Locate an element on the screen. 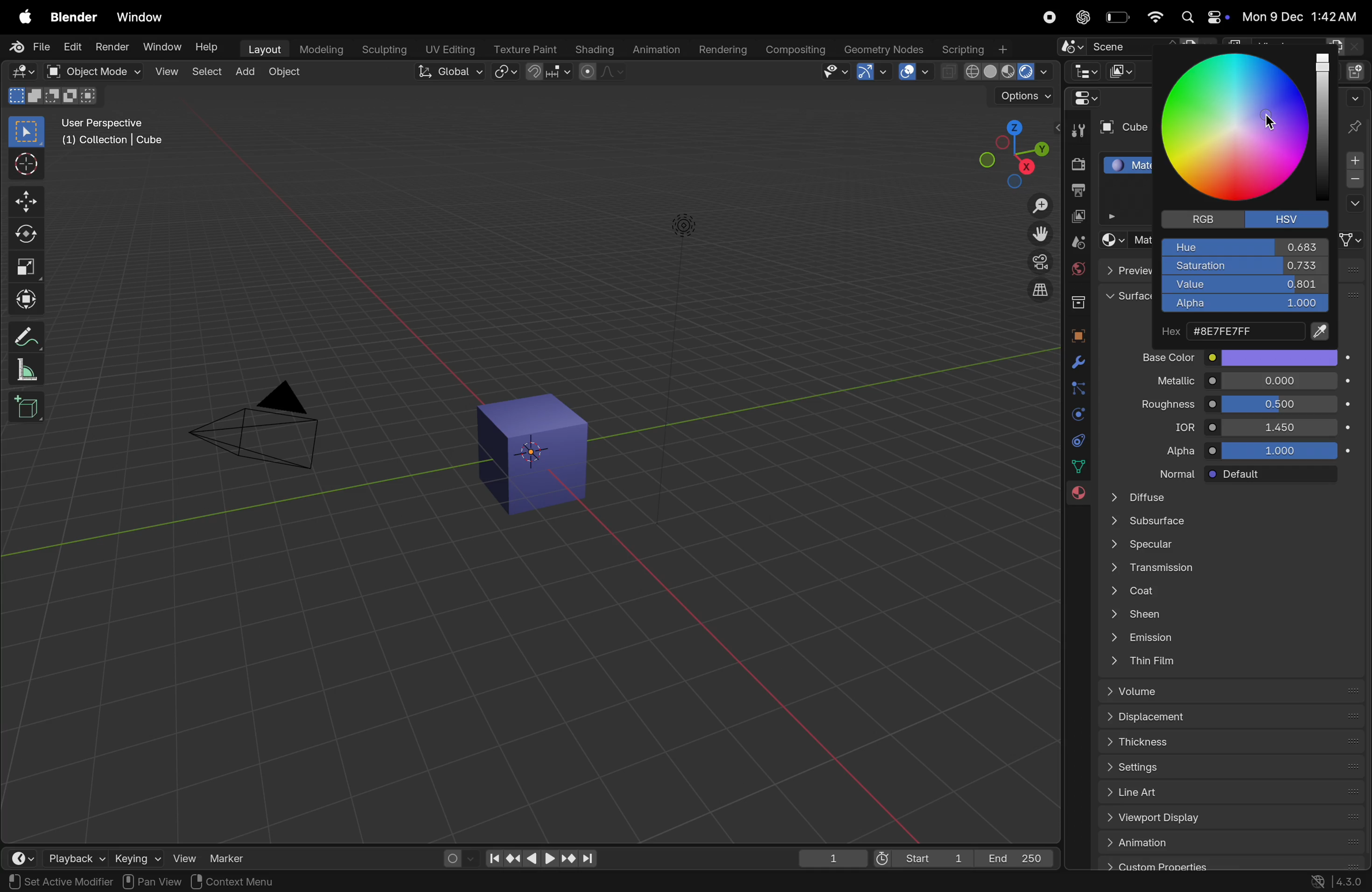 Image resolution: width=1372 pixels, height=892 pixels. measure  is located at coordinates (24, 369).